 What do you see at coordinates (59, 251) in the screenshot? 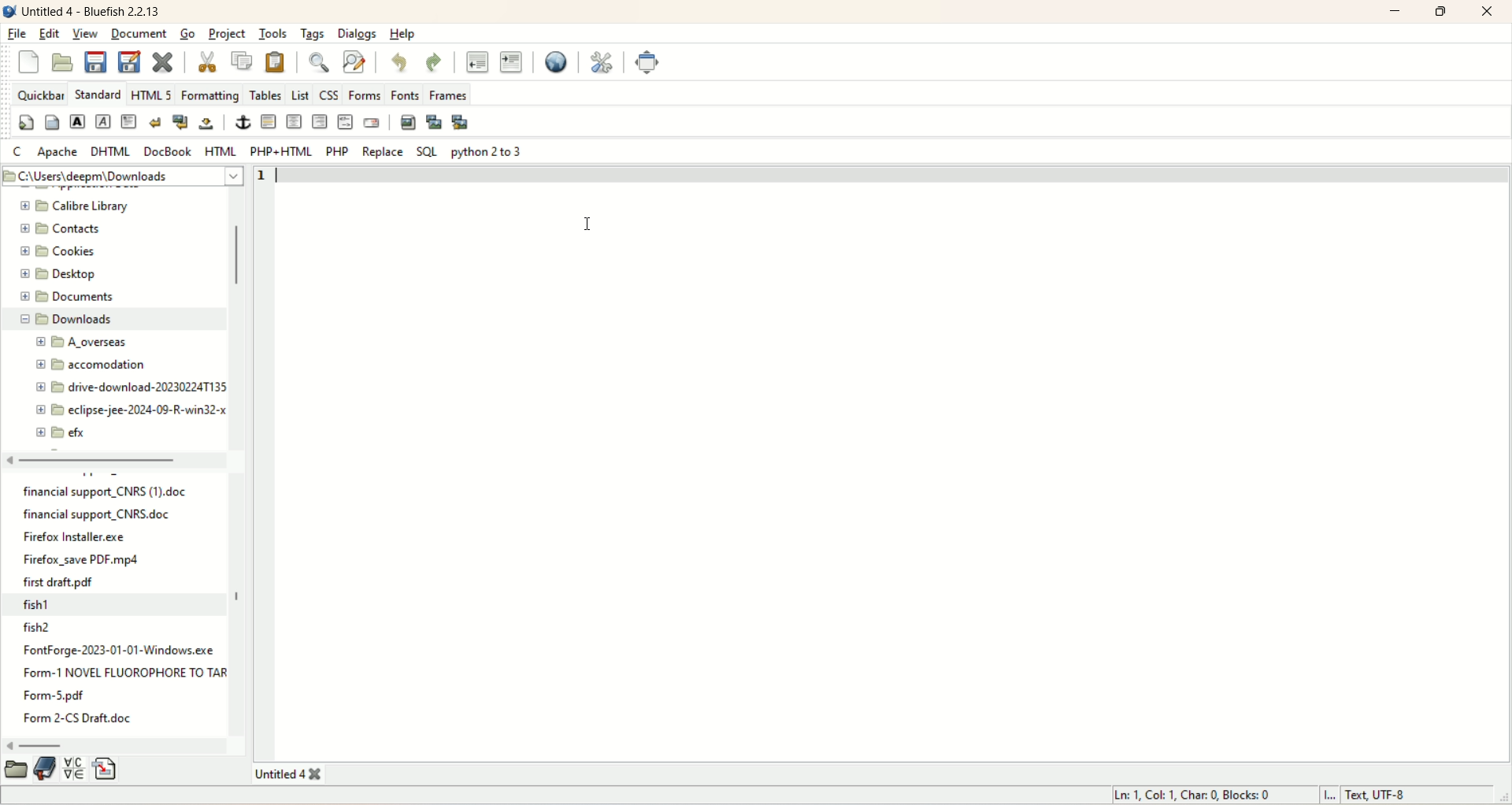
I see `cookies` at bounding box center [59, 251].